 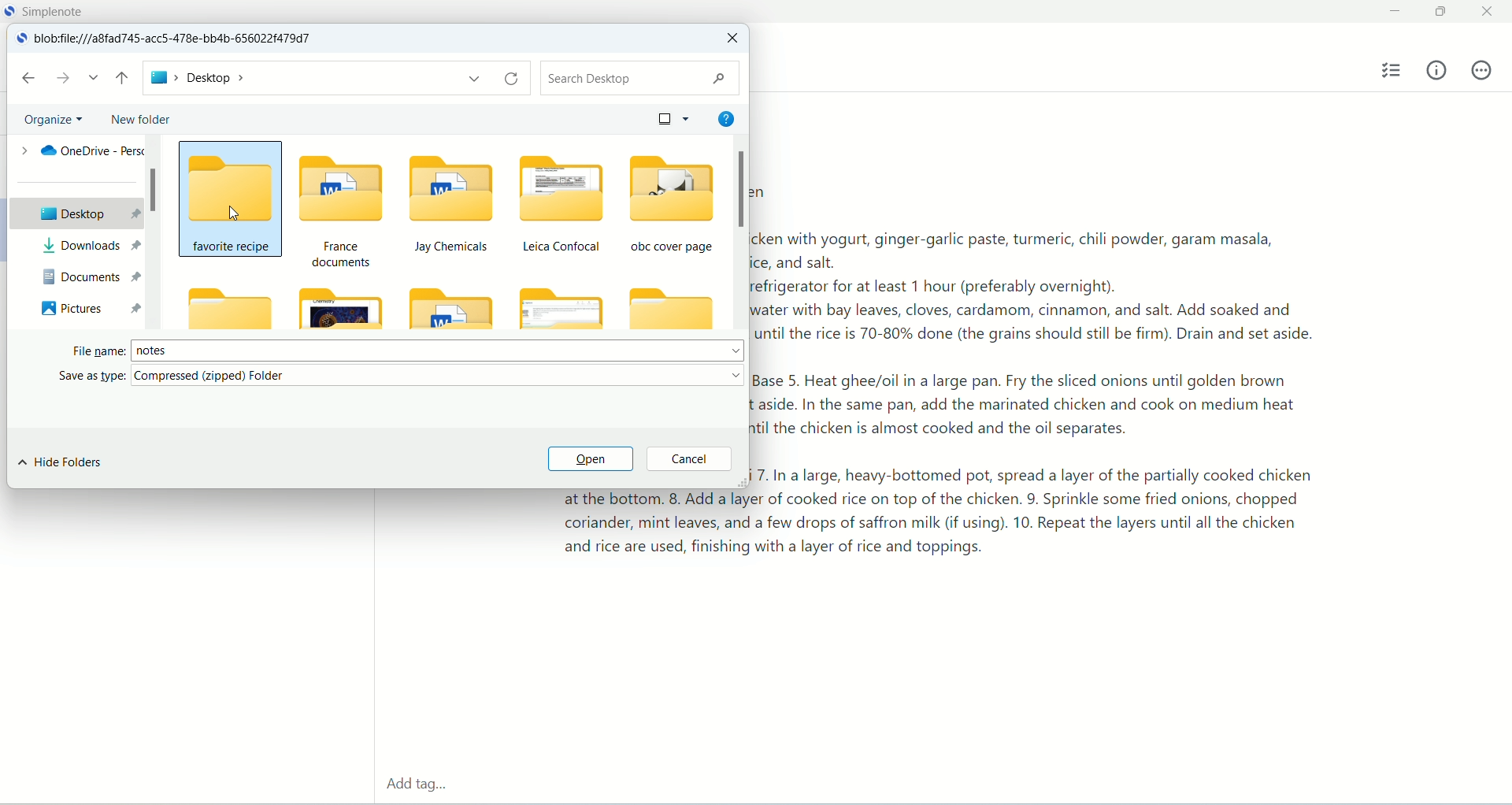 I want to click on onedrive, so click(x=76, y=150).